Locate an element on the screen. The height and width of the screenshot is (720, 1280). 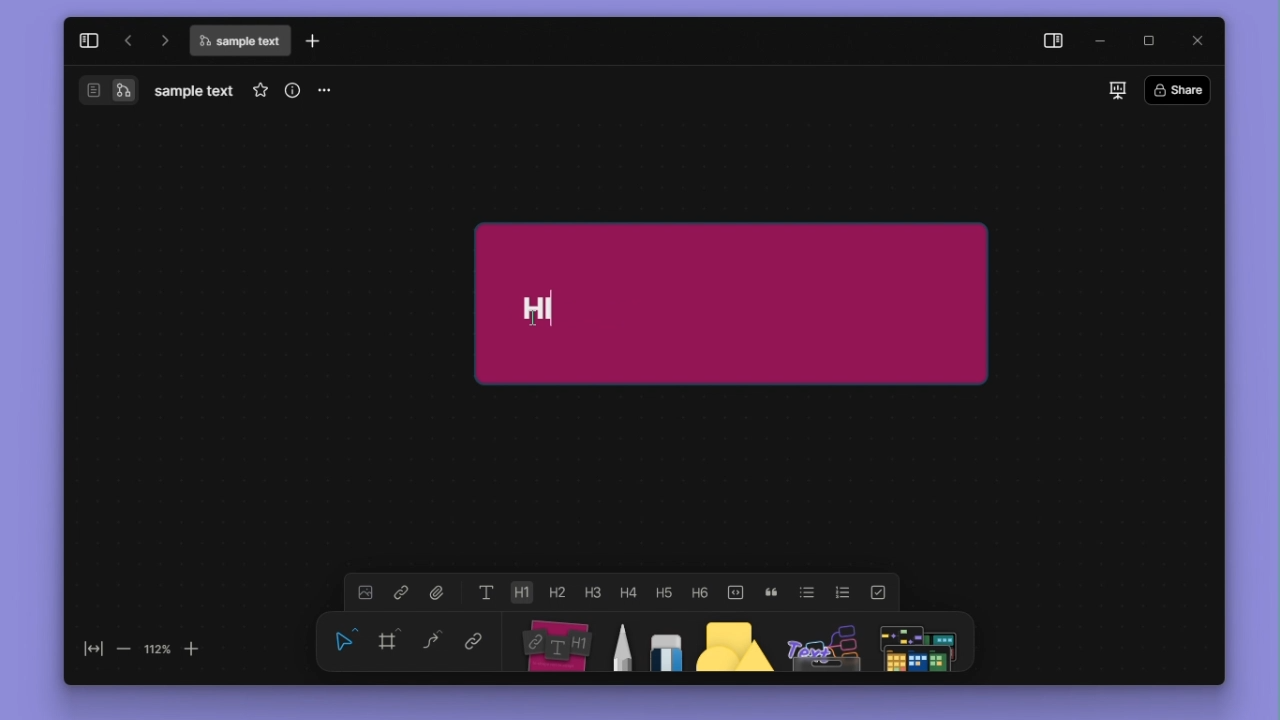
switch is located at coordinates (94, 90).